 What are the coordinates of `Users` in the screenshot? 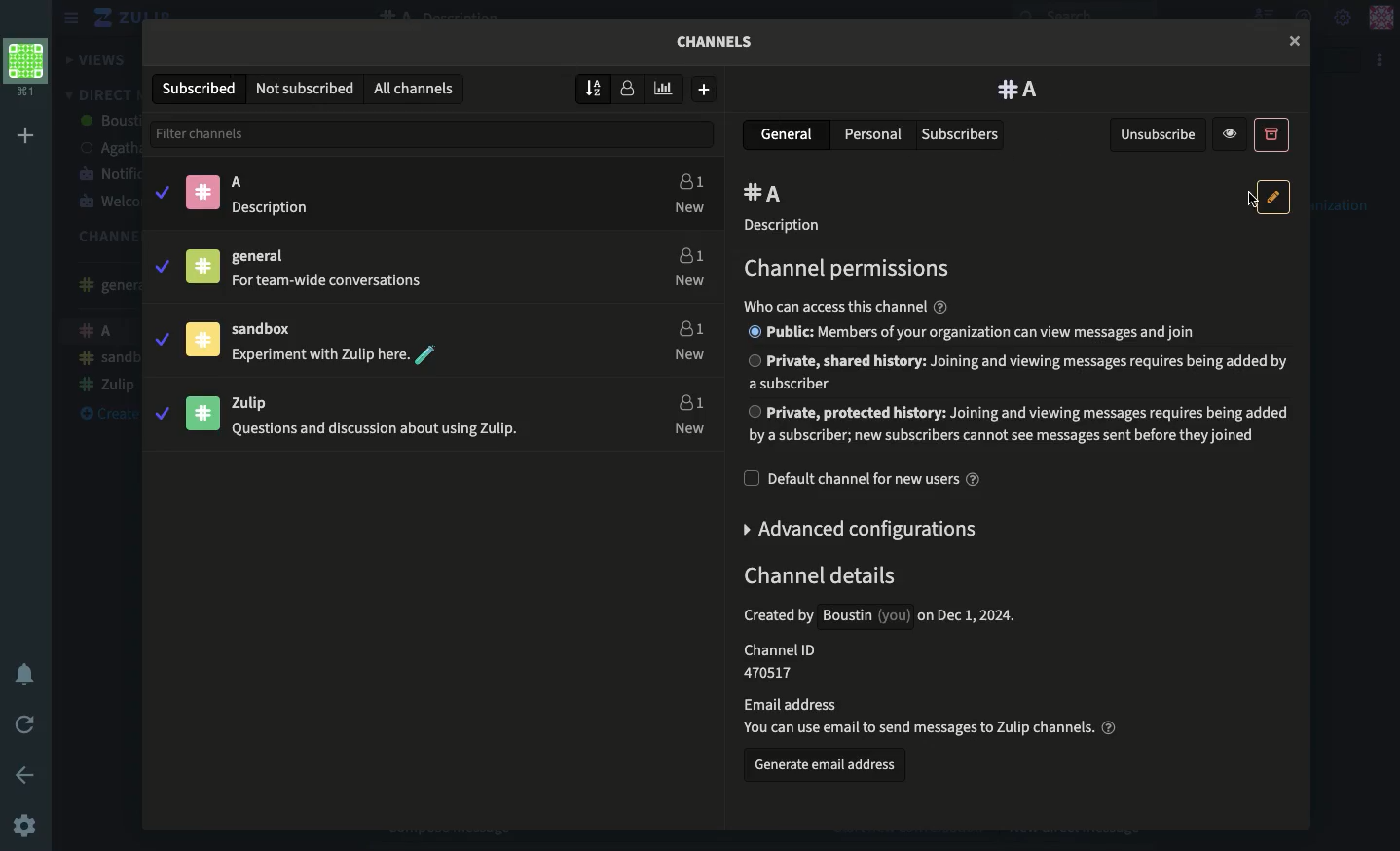 It's located at (684, 412).